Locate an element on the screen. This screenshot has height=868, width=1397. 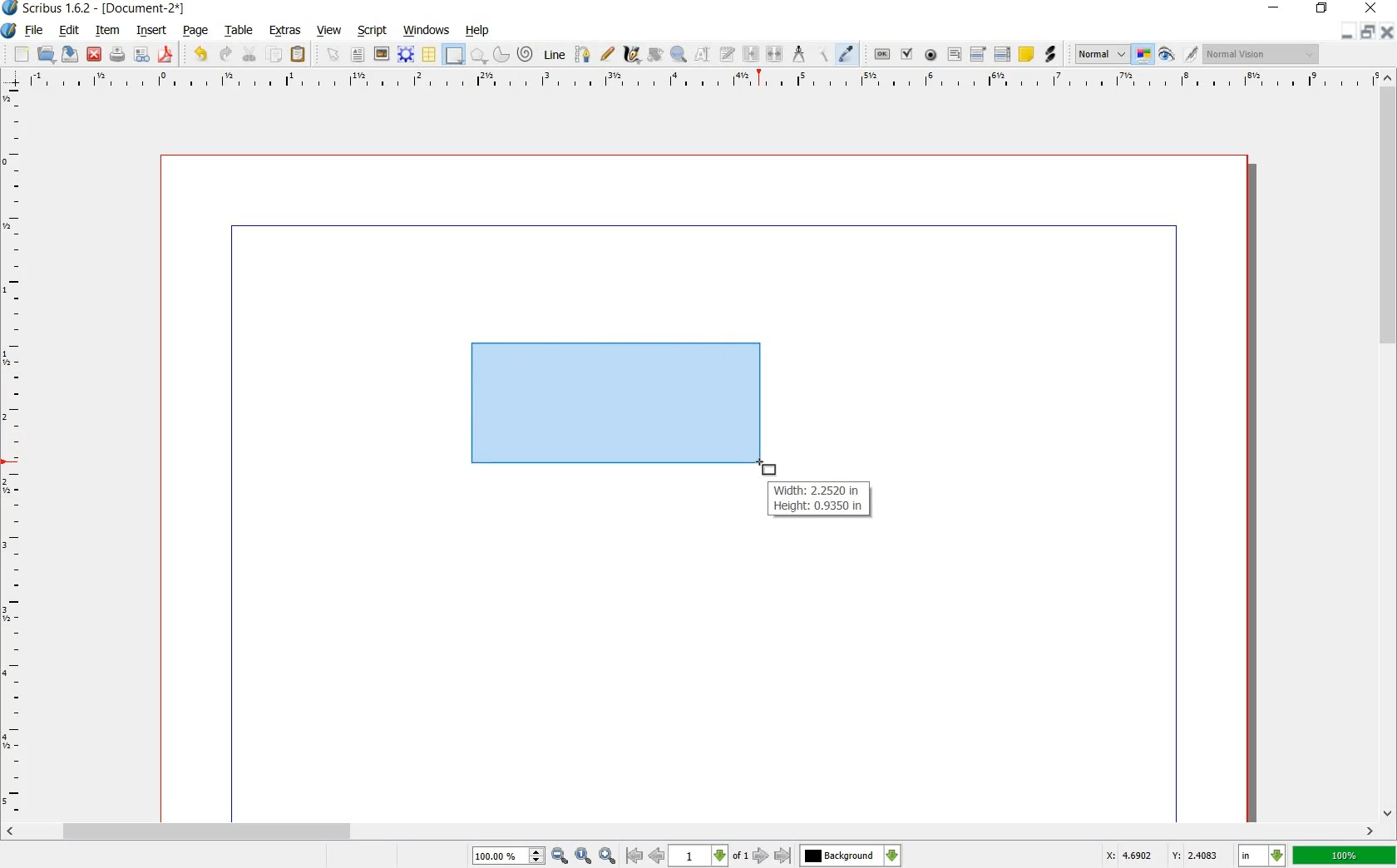
LINE is located at coordinates (555, 52).